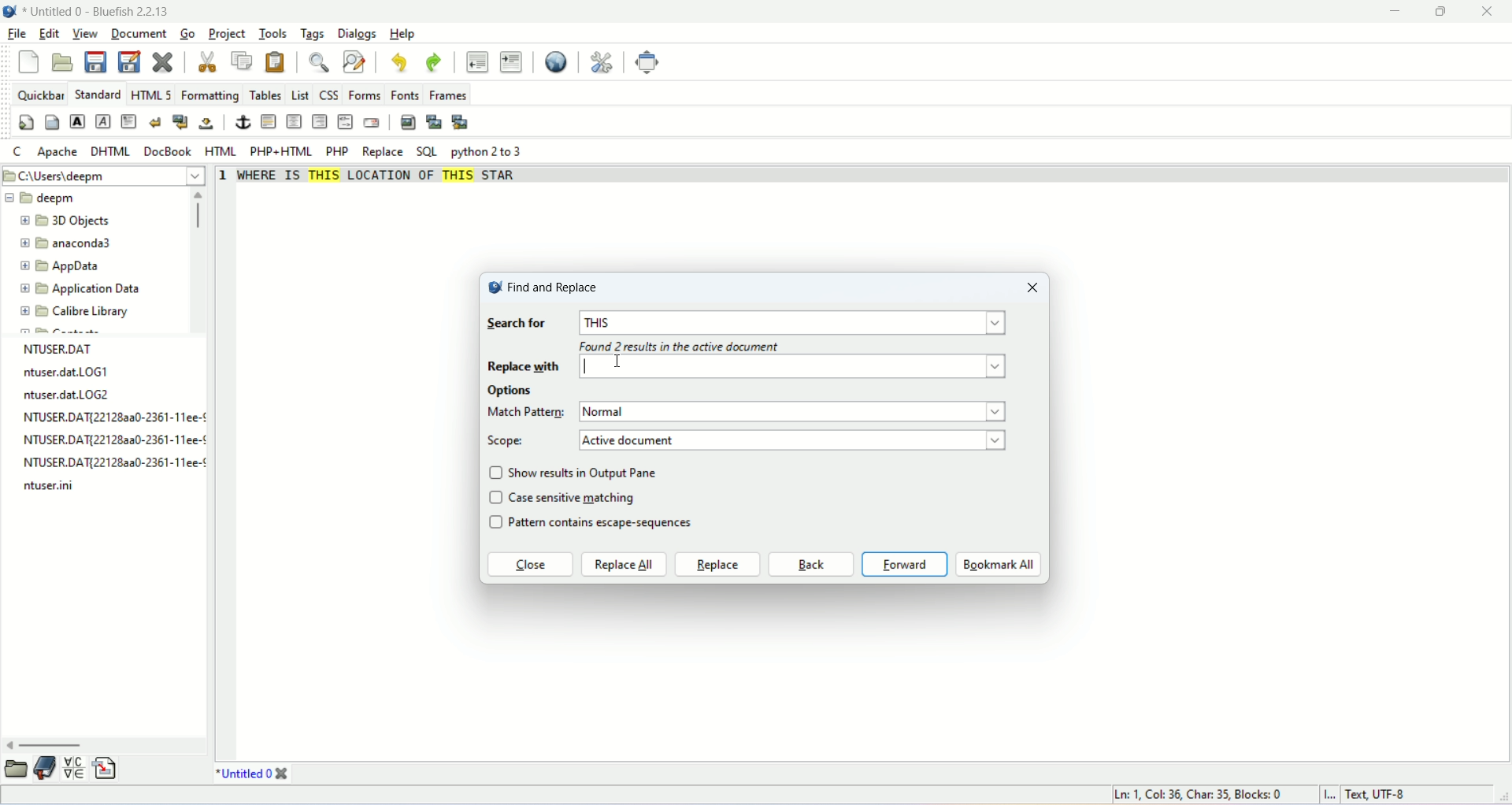  Describe the element at coordinates (587, 472) in the screenshot. I see `show results in Output pane` at that location.